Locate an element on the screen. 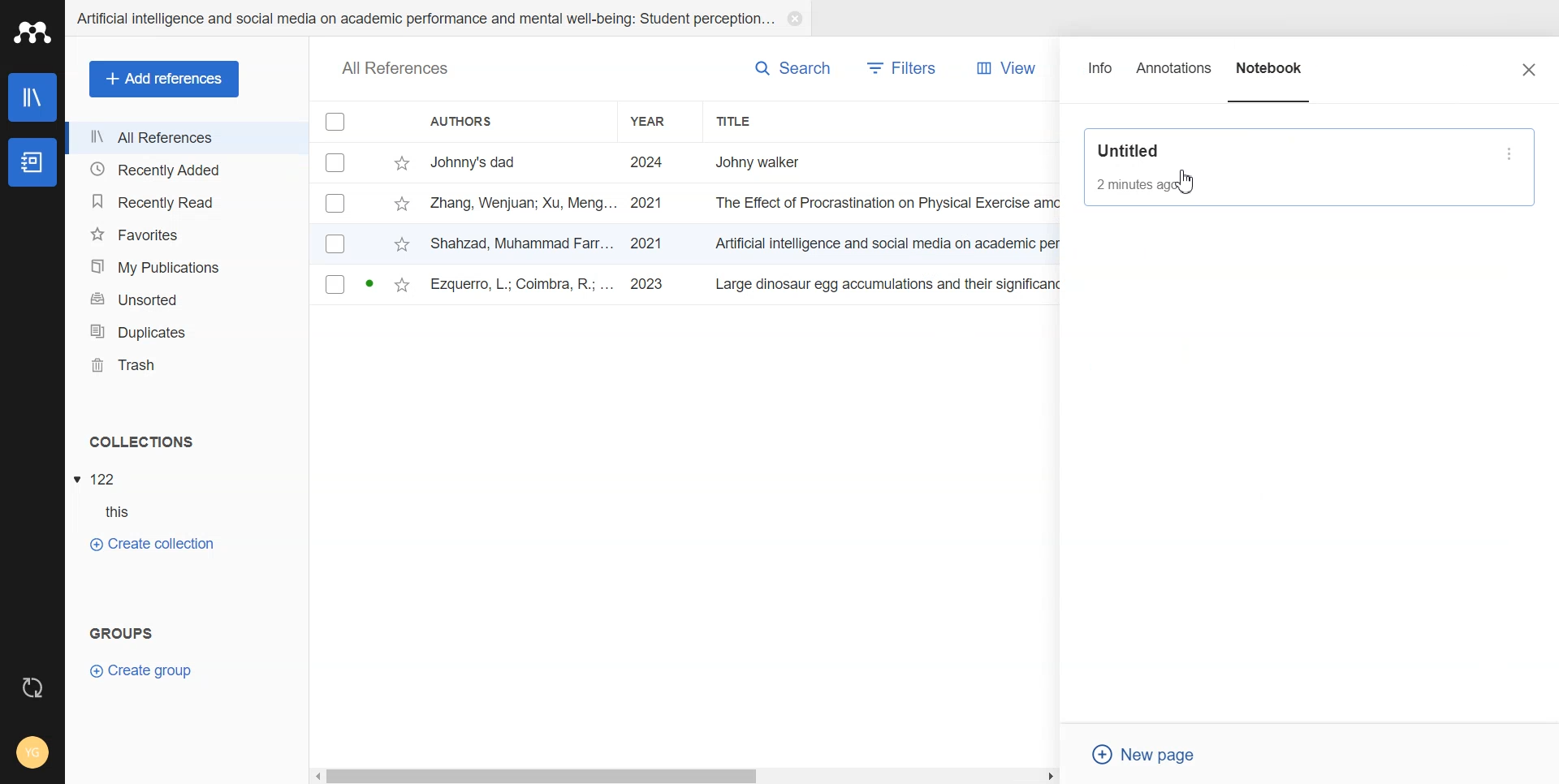  Annotations is located at coordinates (1175, 75).